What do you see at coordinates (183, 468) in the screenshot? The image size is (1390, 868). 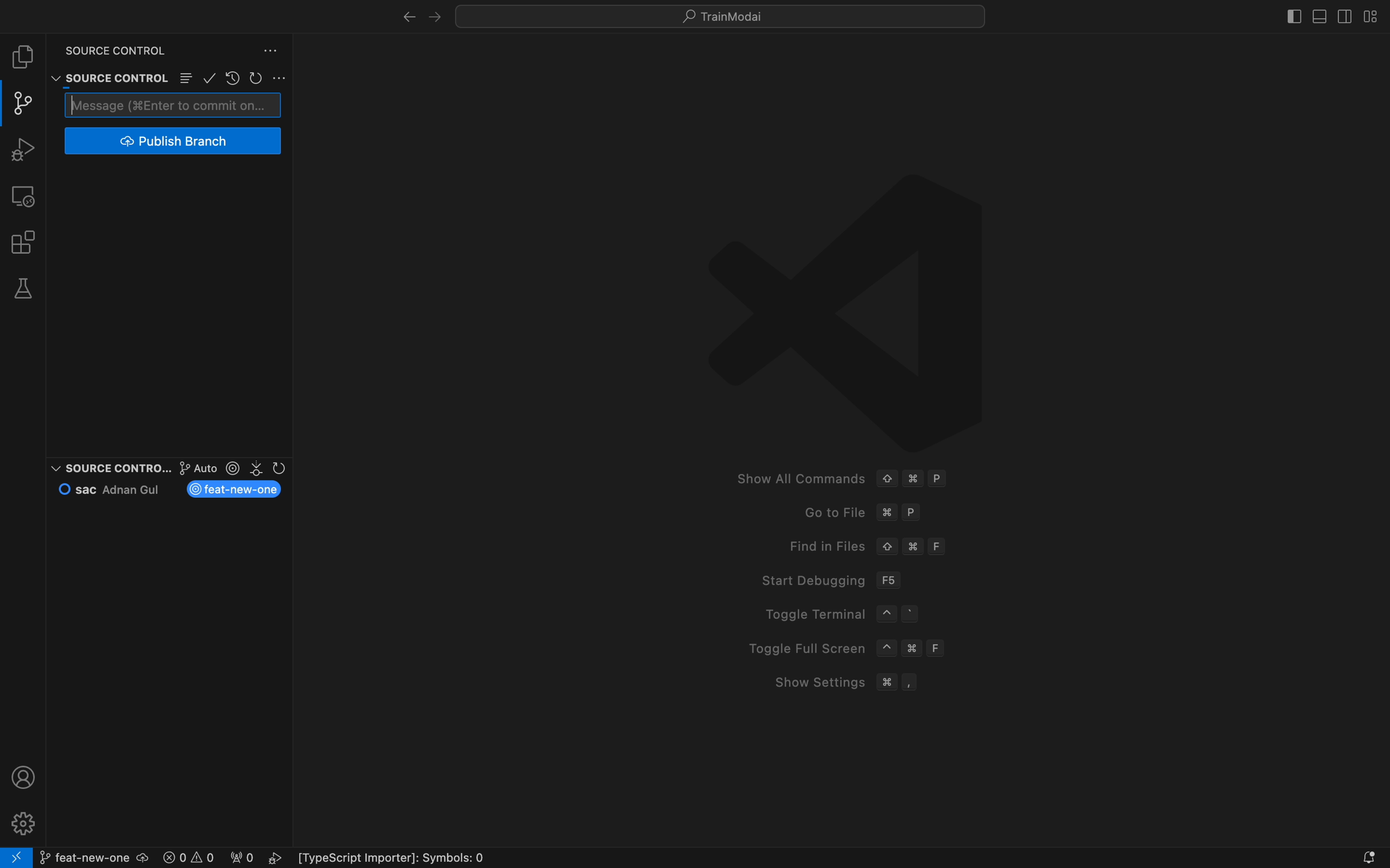 I see `graph` at bounding box center [183, 468].